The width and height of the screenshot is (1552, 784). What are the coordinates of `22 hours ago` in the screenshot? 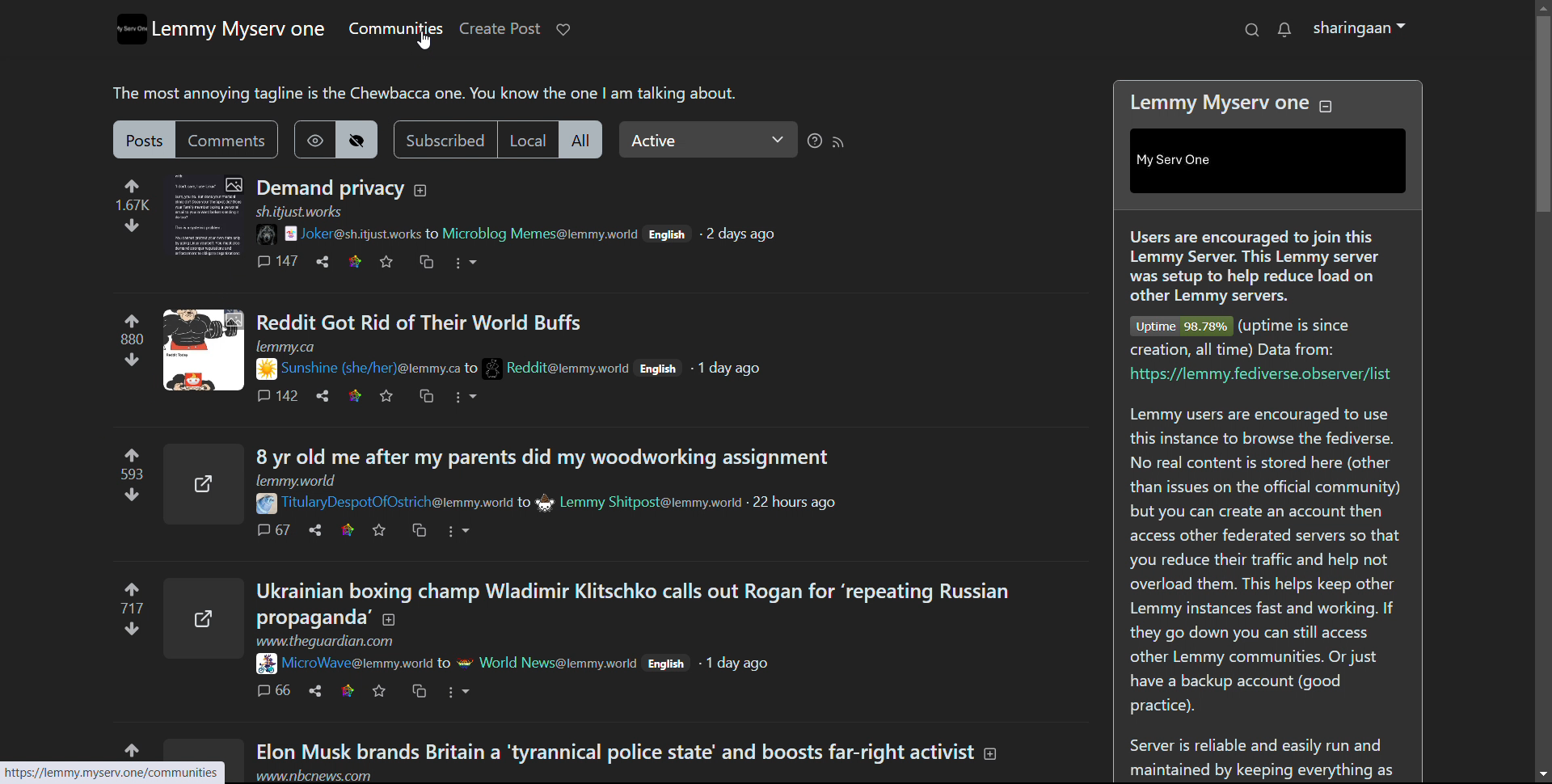 It's located at (796, 504).